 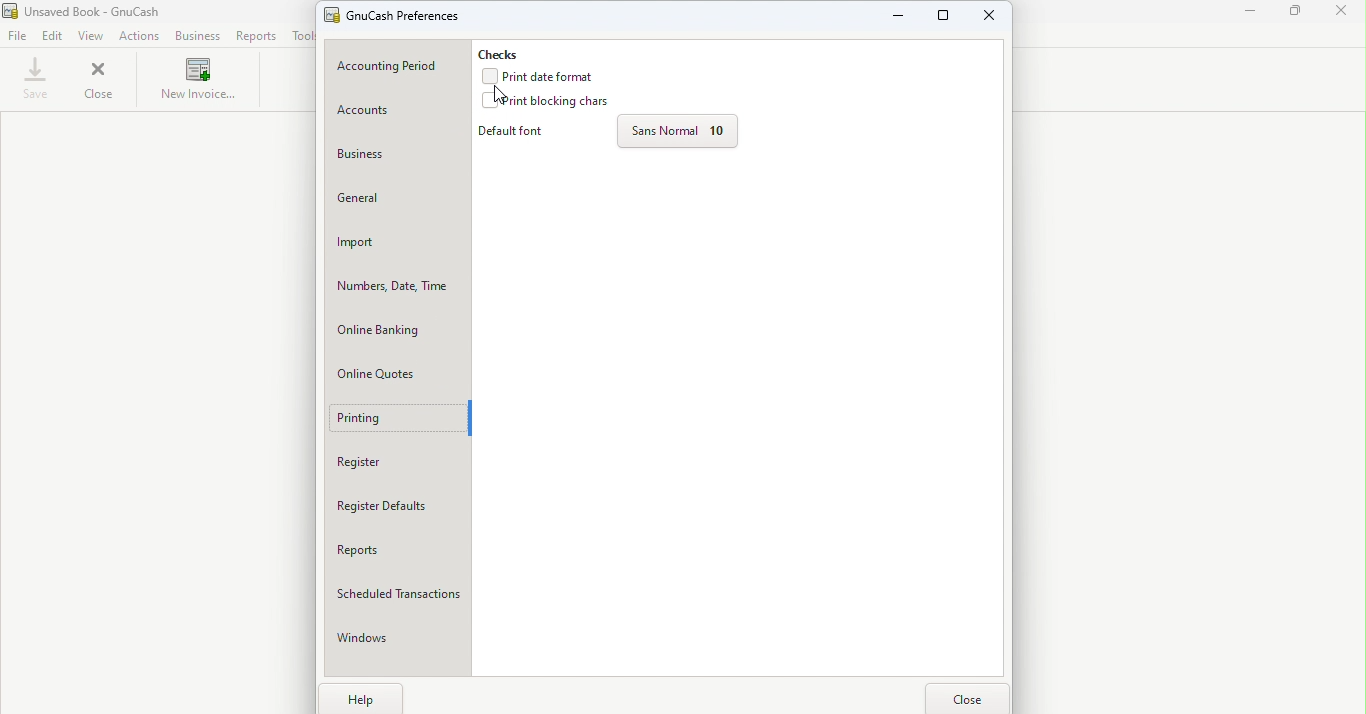 What do you see at coordinates (397, 507) in the screenshot?
I see `Register defaults` at bounding box center [397, 507].